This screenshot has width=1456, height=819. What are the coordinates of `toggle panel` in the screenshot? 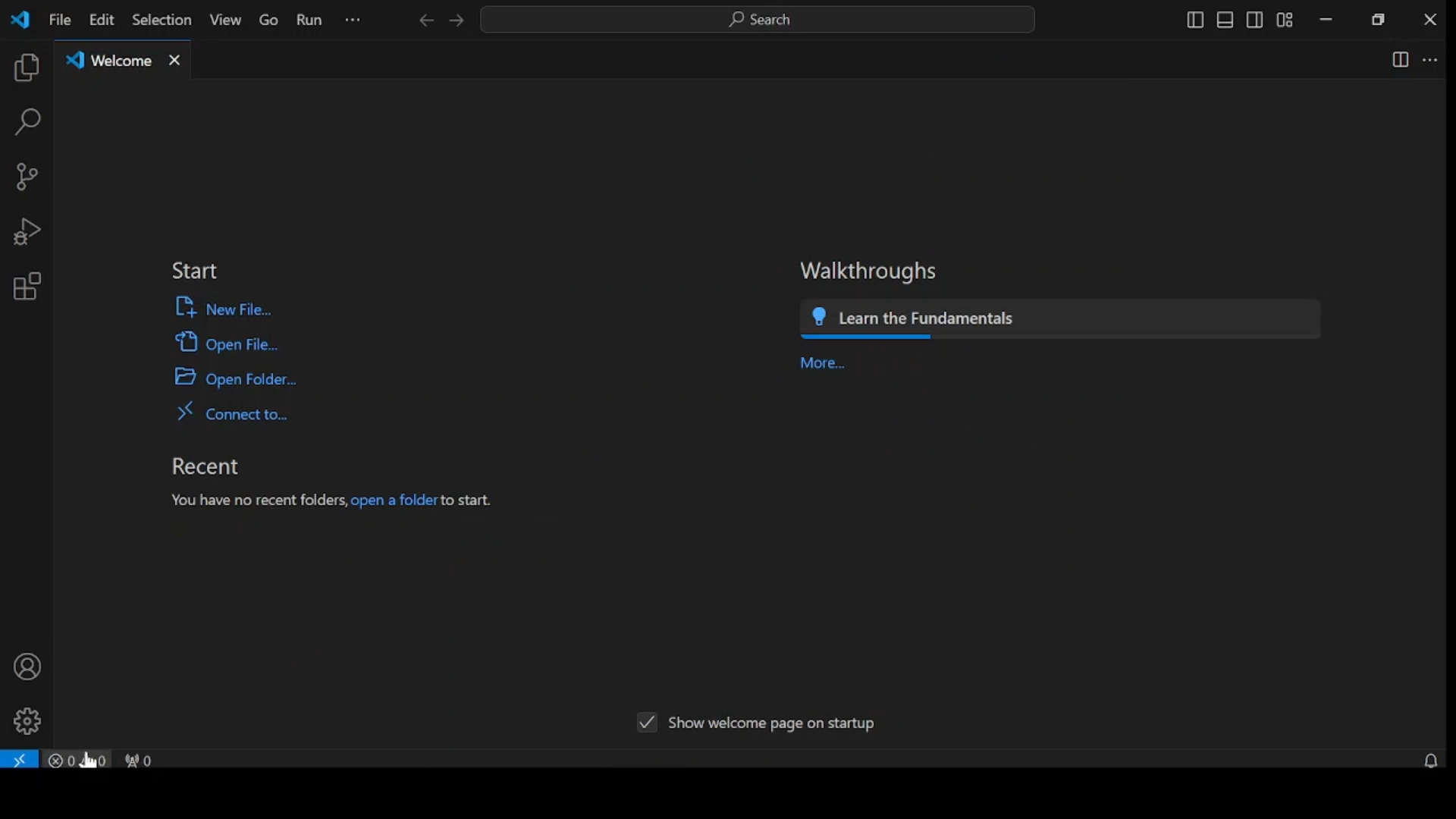 It's located at (1225, 20).